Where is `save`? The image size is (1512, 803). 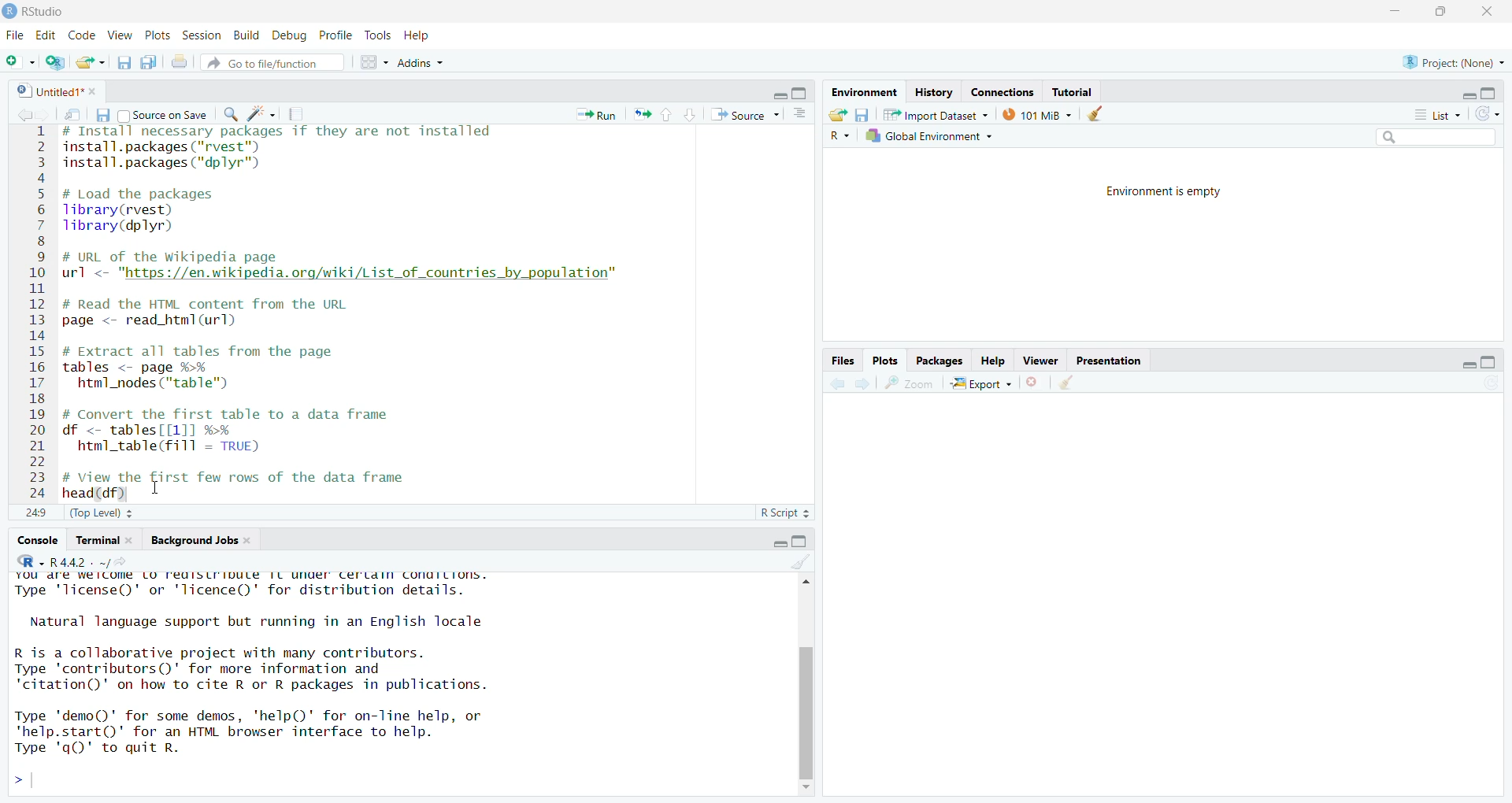 save is located at coordinates (102, 114).